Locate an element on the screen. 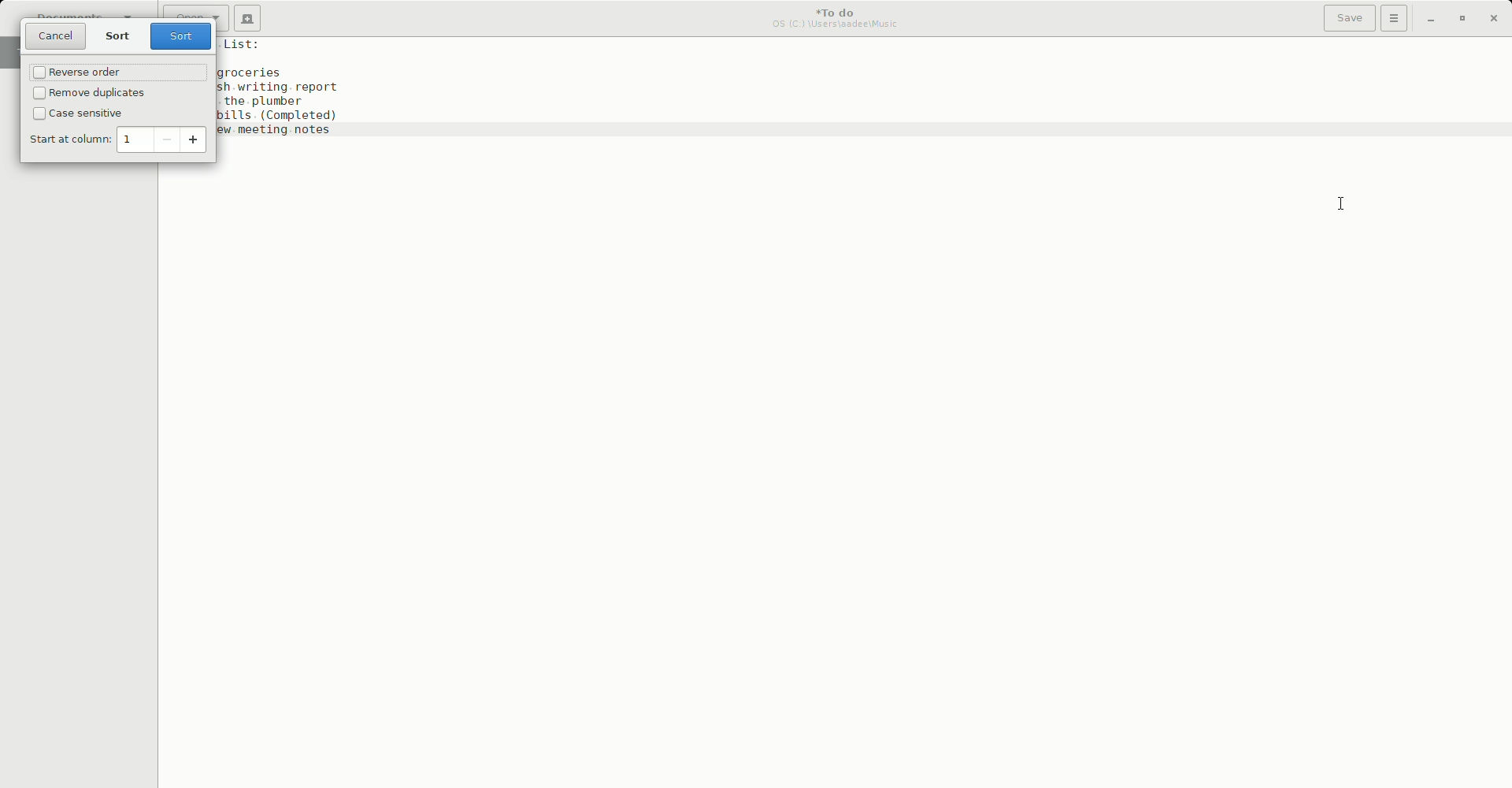  decrease value is located at coordinates (163, 139).